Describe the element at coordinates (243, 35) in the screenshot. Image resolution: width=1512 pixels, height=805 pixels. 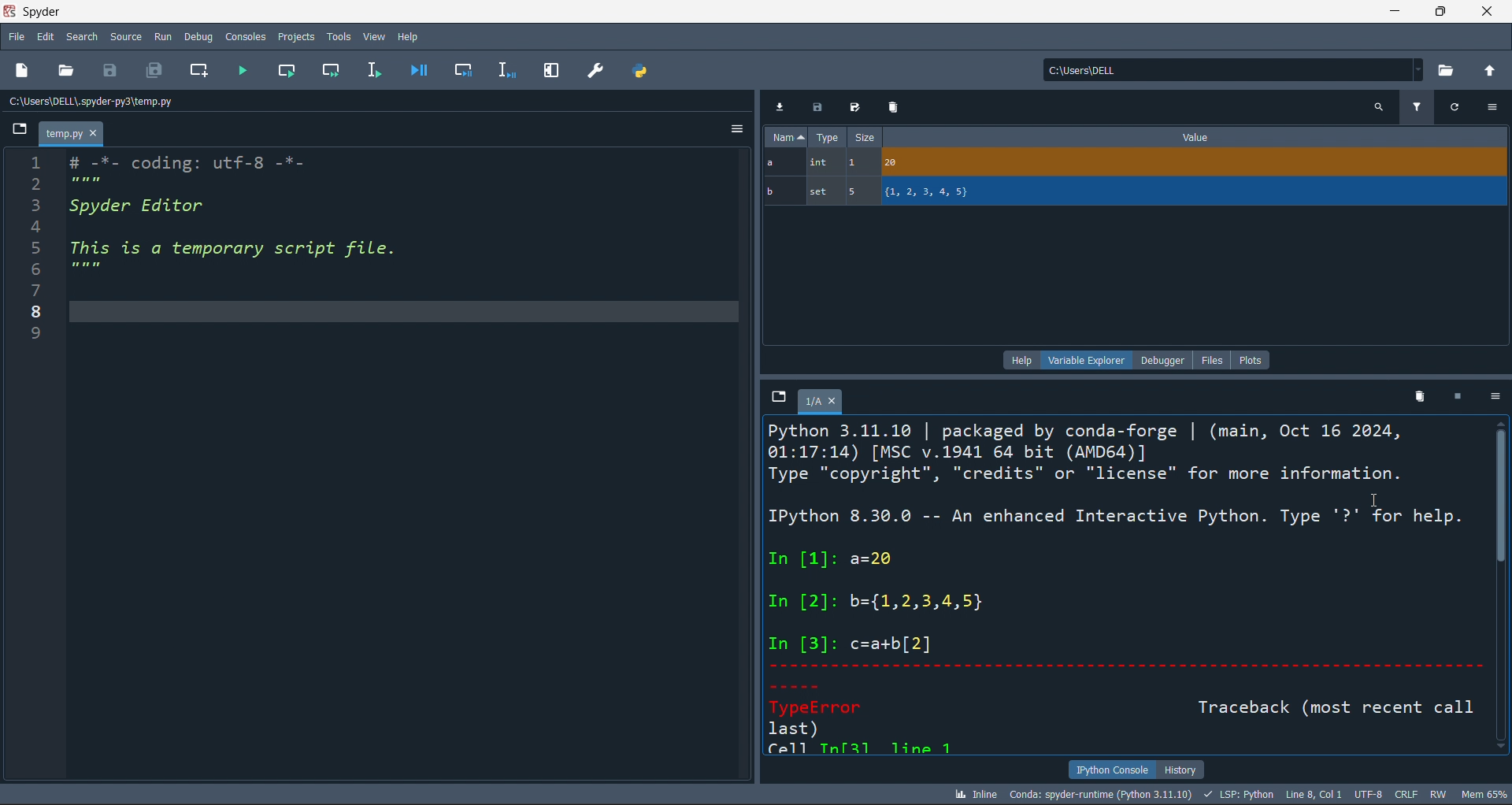
I see `consoles` at that location.